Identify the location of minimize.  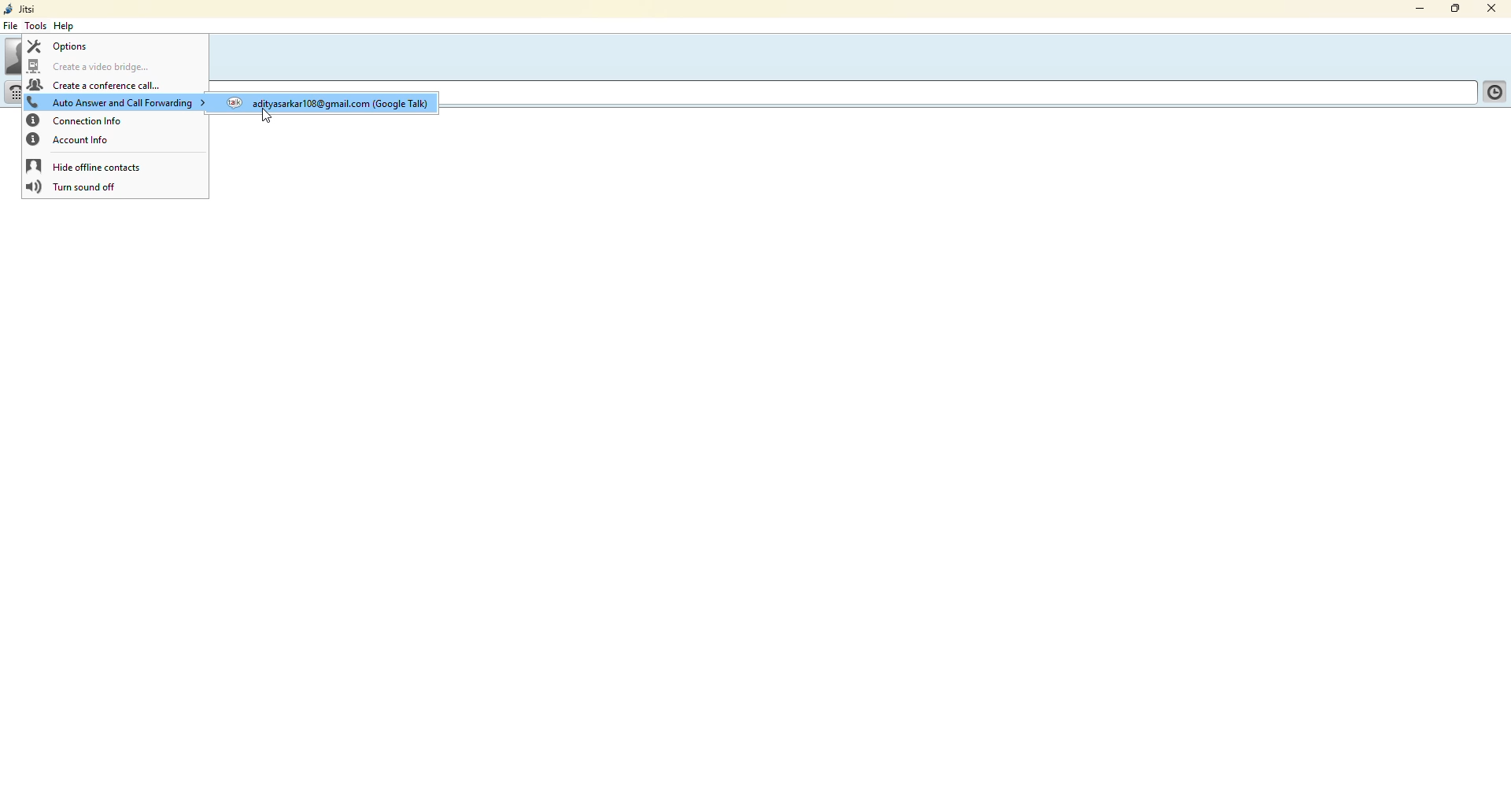
(1417, 9).